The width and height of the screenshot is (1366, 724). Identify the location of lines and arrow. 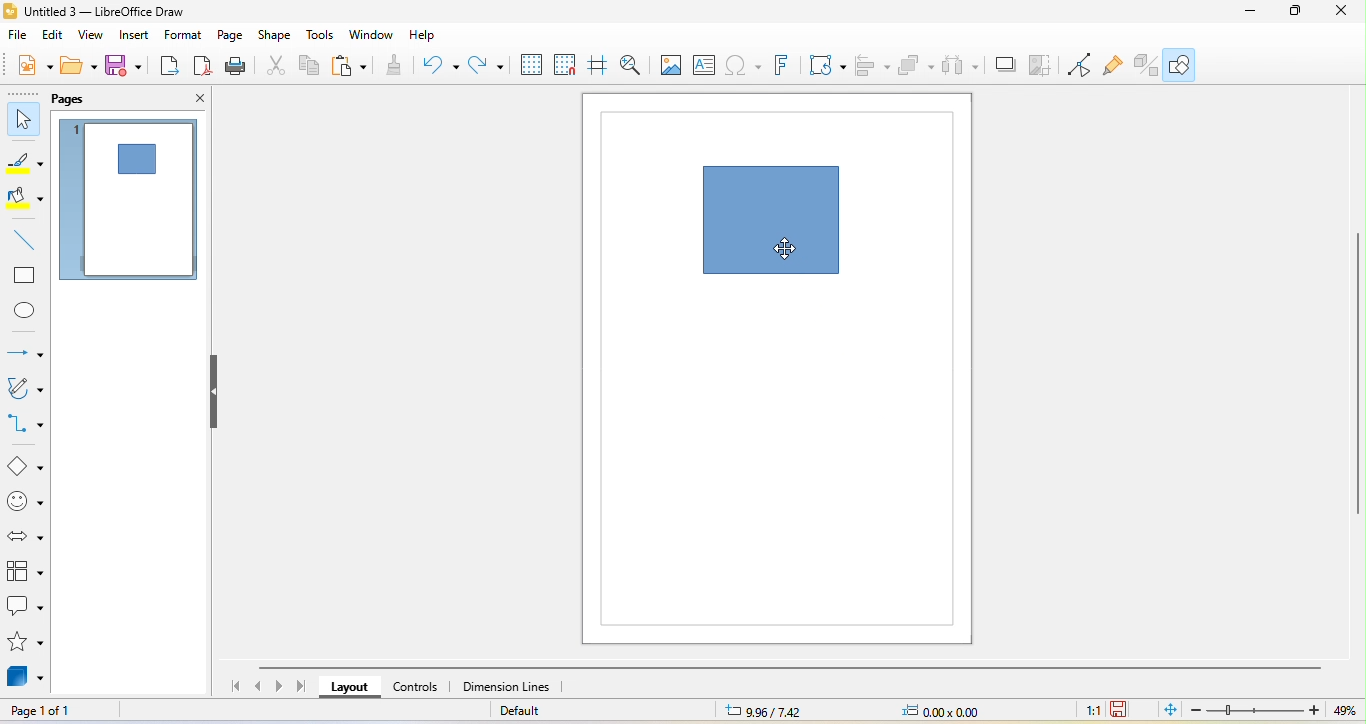
(25, 348).